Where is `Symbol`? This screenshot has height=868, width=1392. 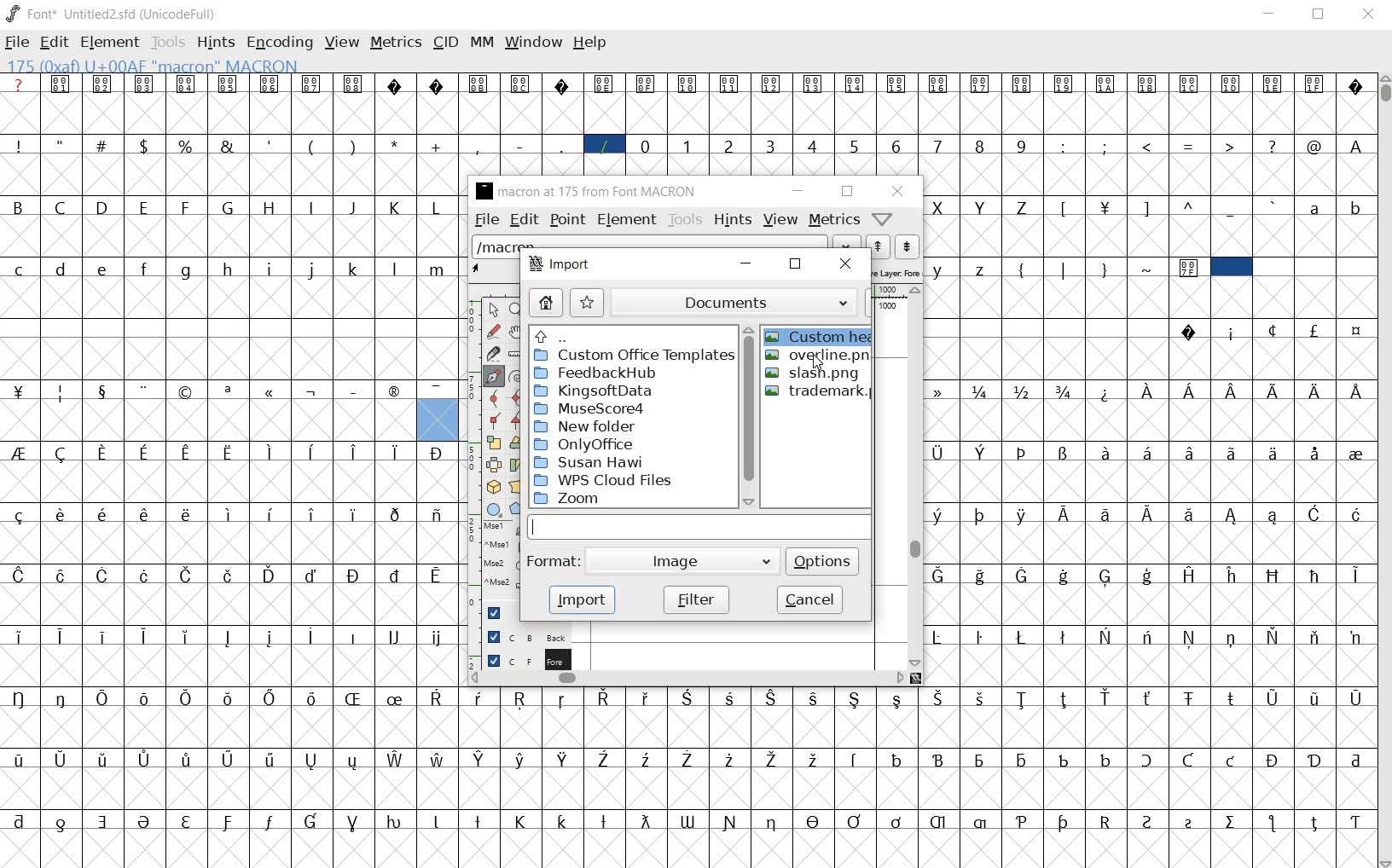
Symbol is located at coordinates (1354, 636).